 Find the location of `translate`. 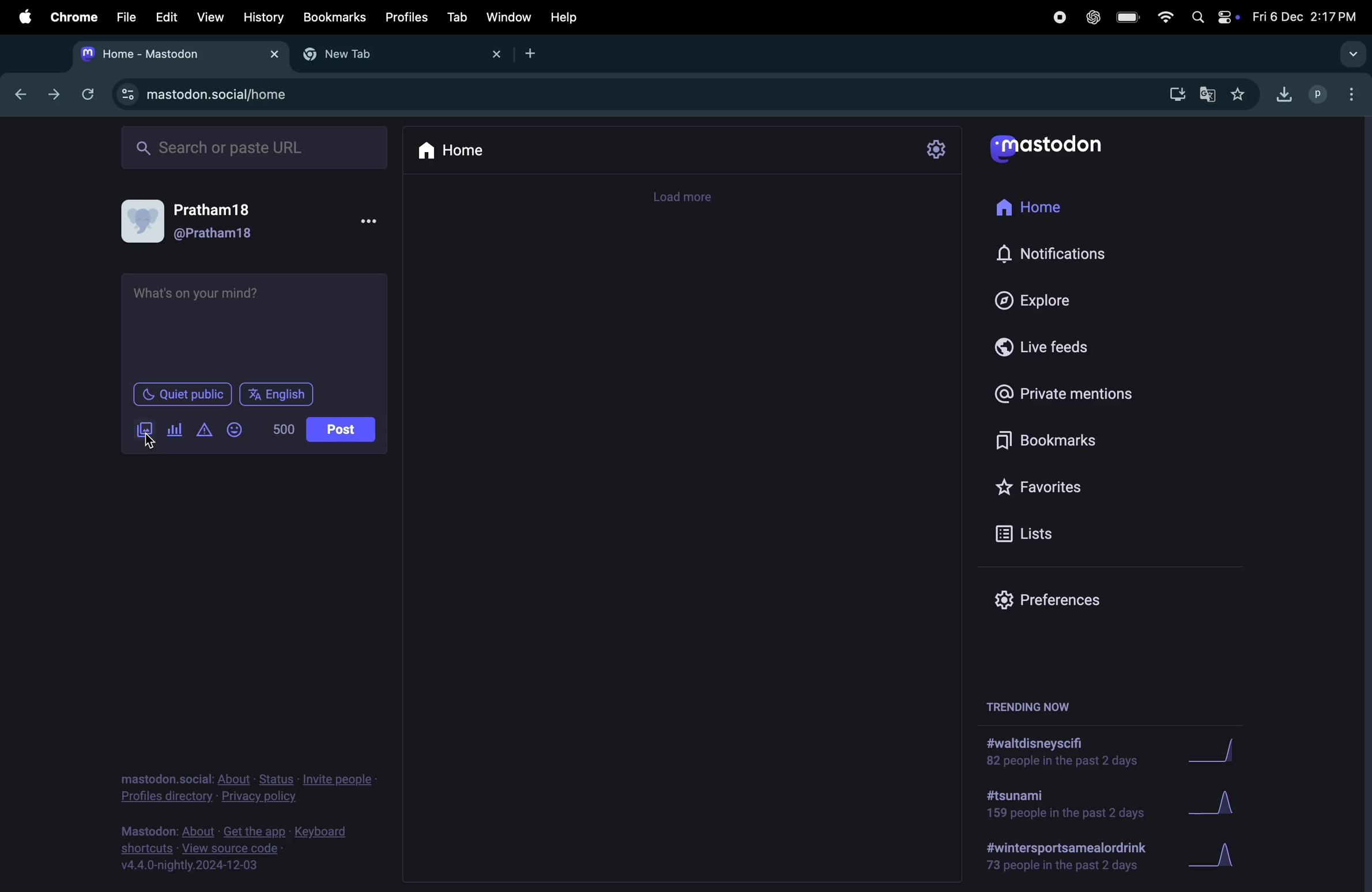

translate is located at coordinates (1211, 96).